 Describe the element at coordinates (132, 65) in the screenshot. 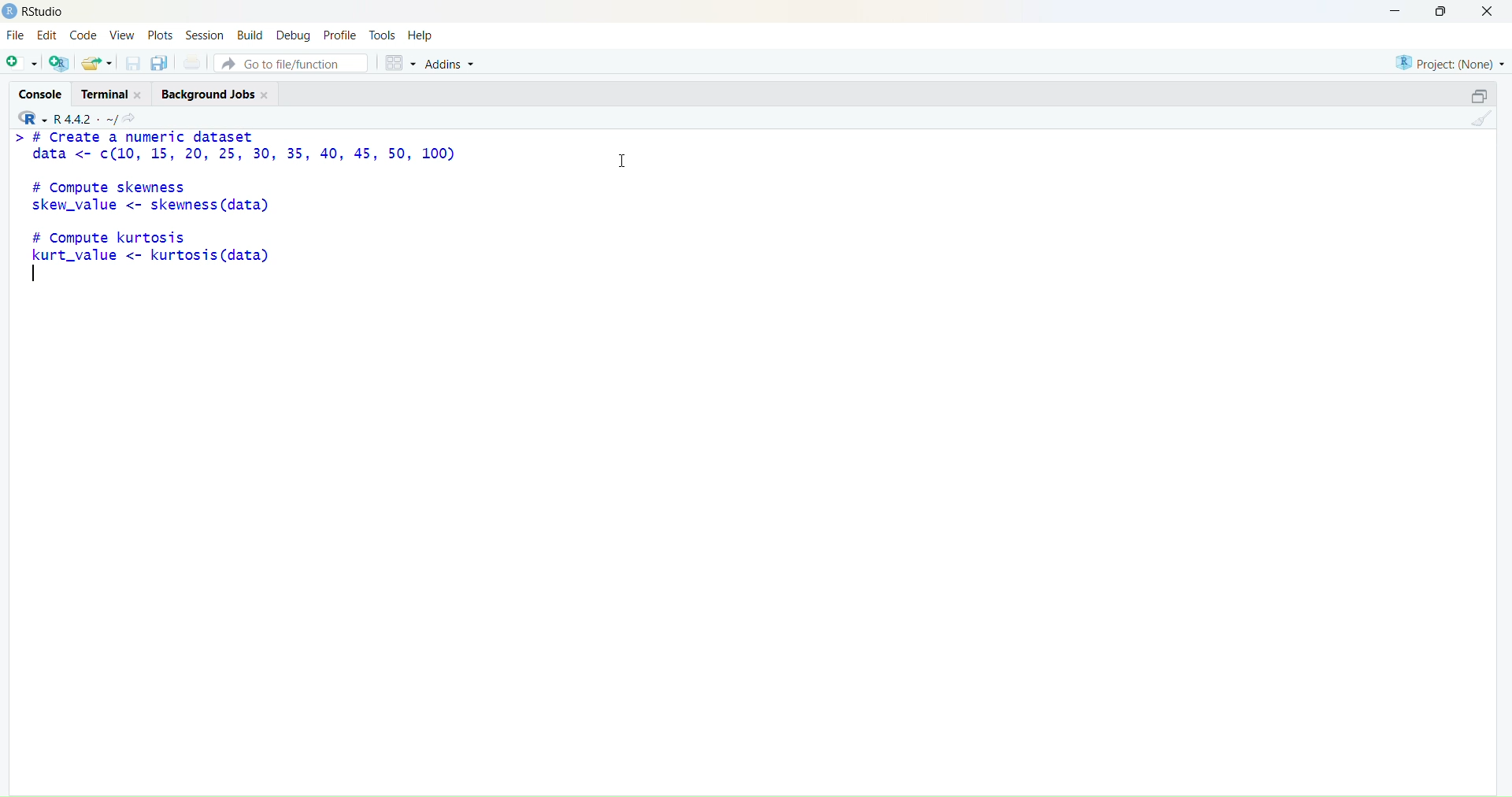

I see `Save current document (Ctrl + S)` at that location.